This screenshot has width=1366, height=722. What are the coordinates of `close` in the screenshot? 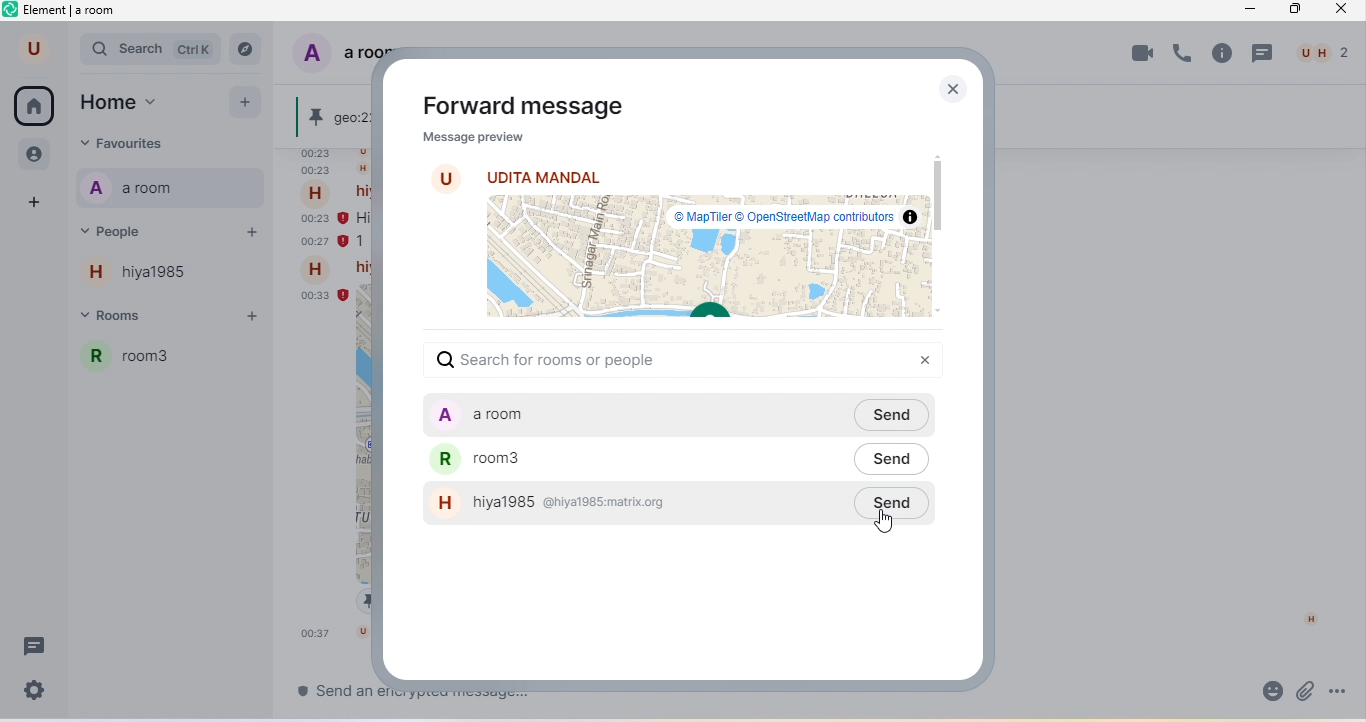 It's located at (950, 89).